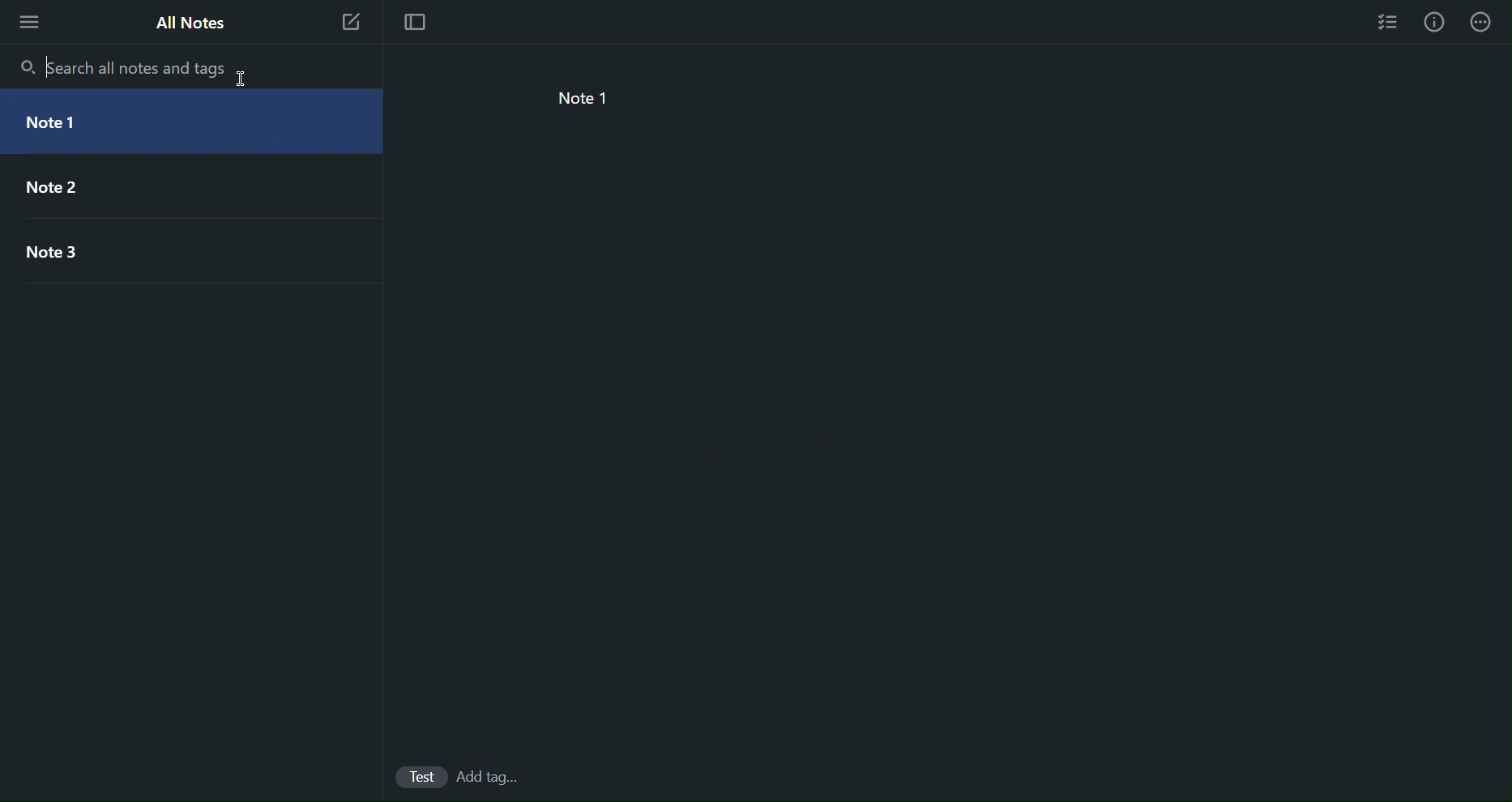 The height and width of the screenshot is (802, 1512). I want to click on Note 2, so click(165, 188).